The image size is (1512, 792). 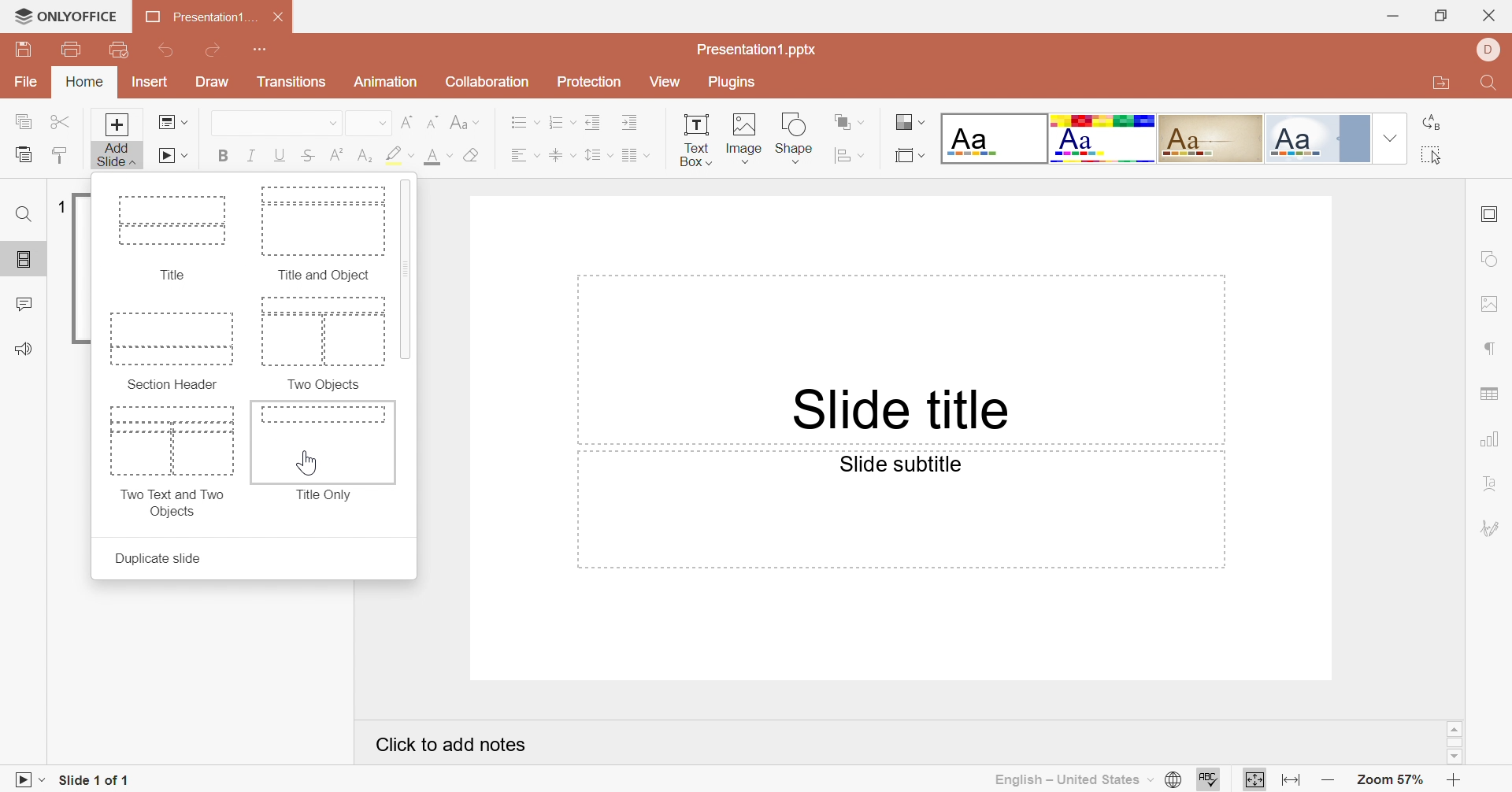 What do you see at coordinates (72, 46) in the screenshot?
I see `Print files` at bounding box center [72, 46].